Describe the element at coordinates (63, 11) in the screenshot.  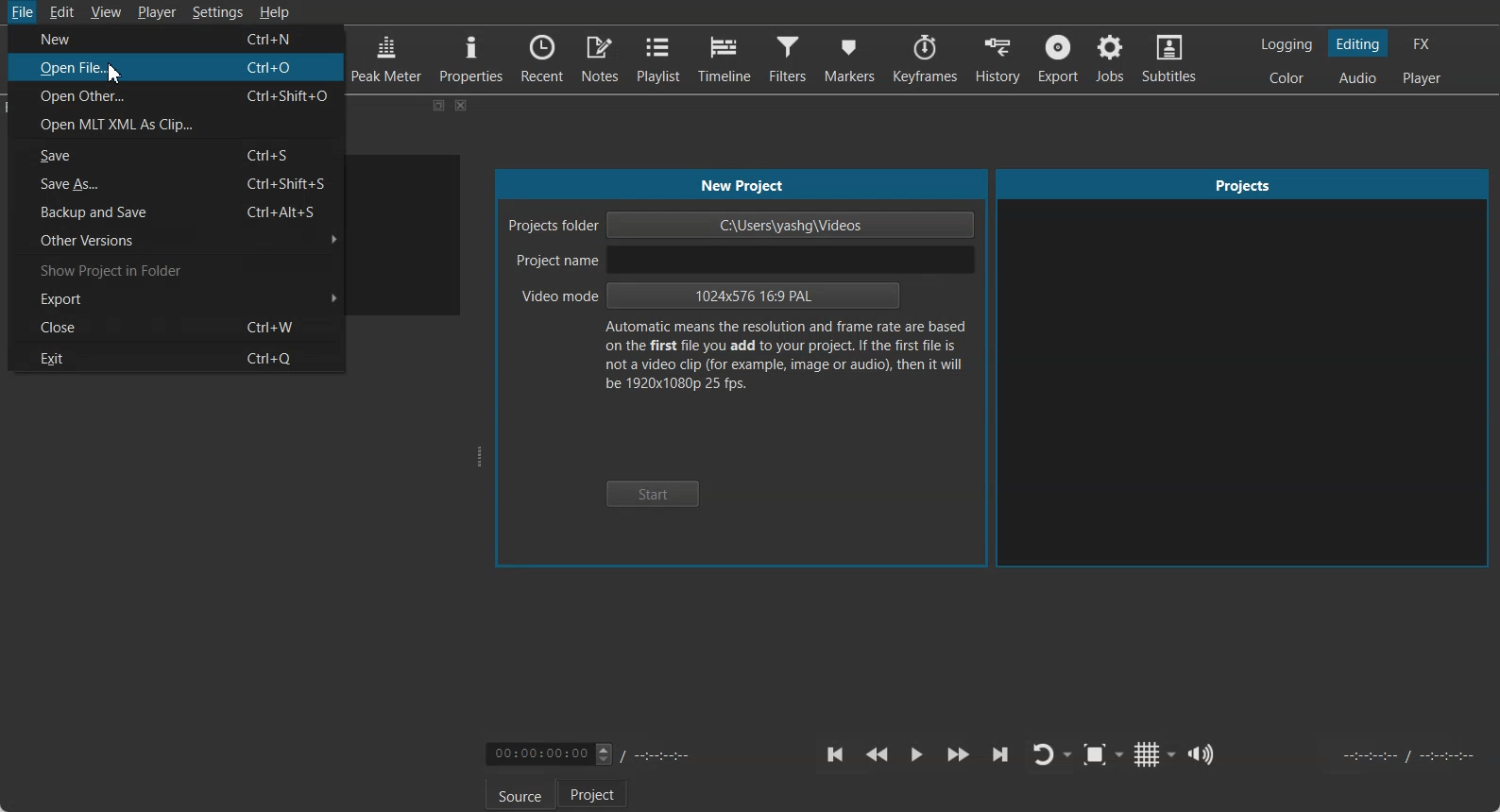
I see `Edit` at that location.